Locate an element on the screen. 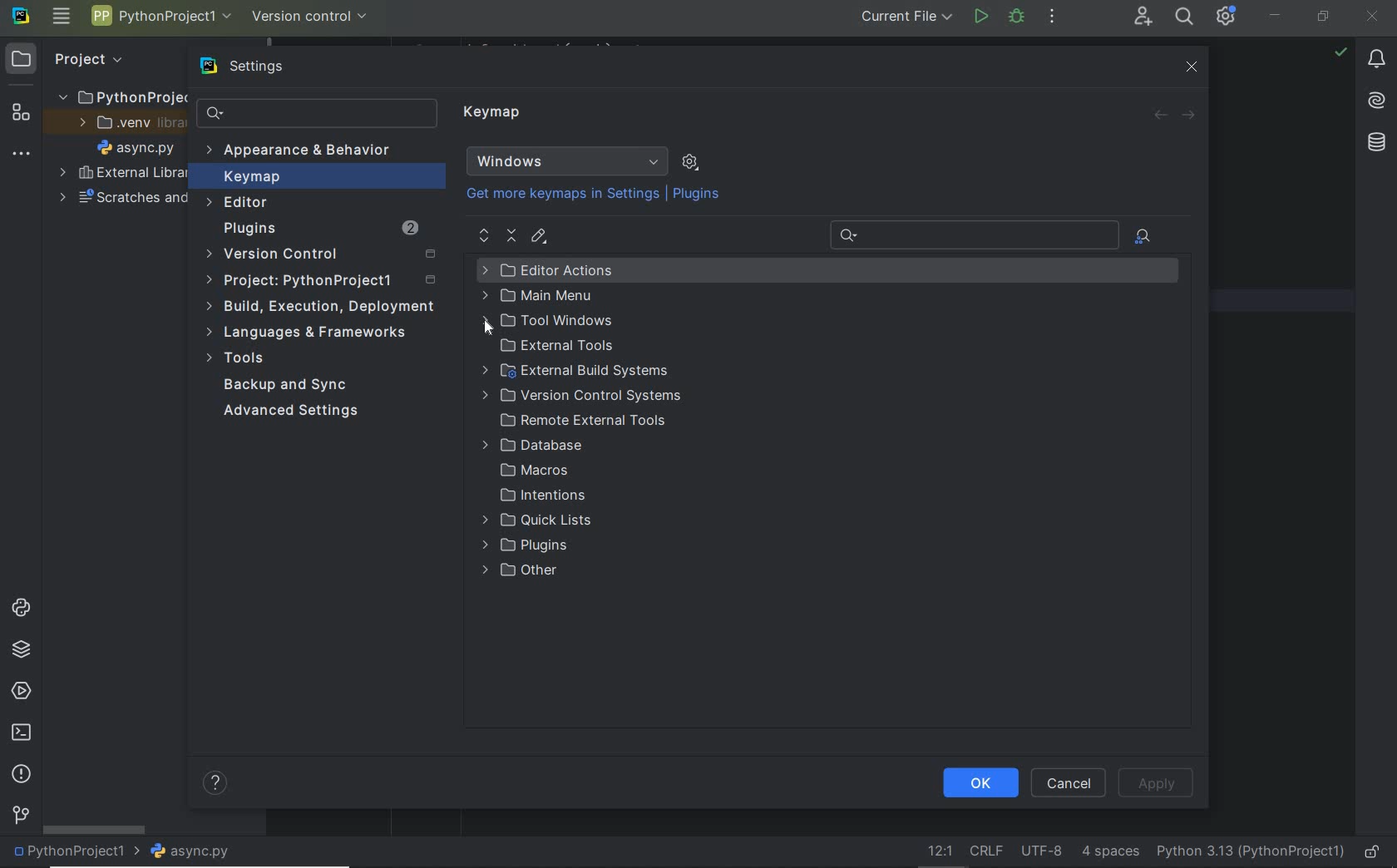 The height and width of the screenshot is (868, 1397). Appearance & Behavior is located at coordinates (301, 151).